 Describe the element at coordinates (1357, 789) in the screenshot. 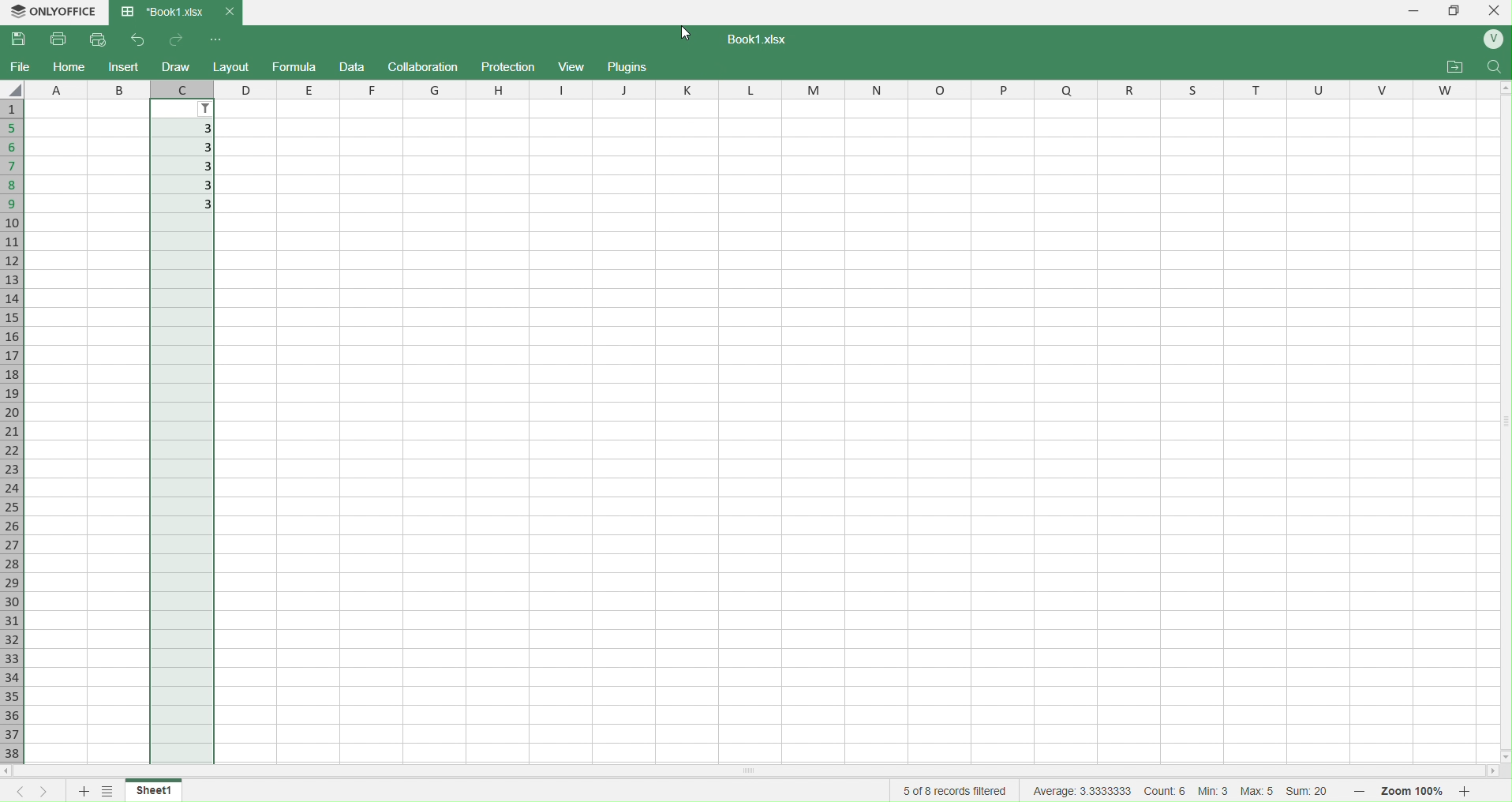

I see `zoom out` at that location.